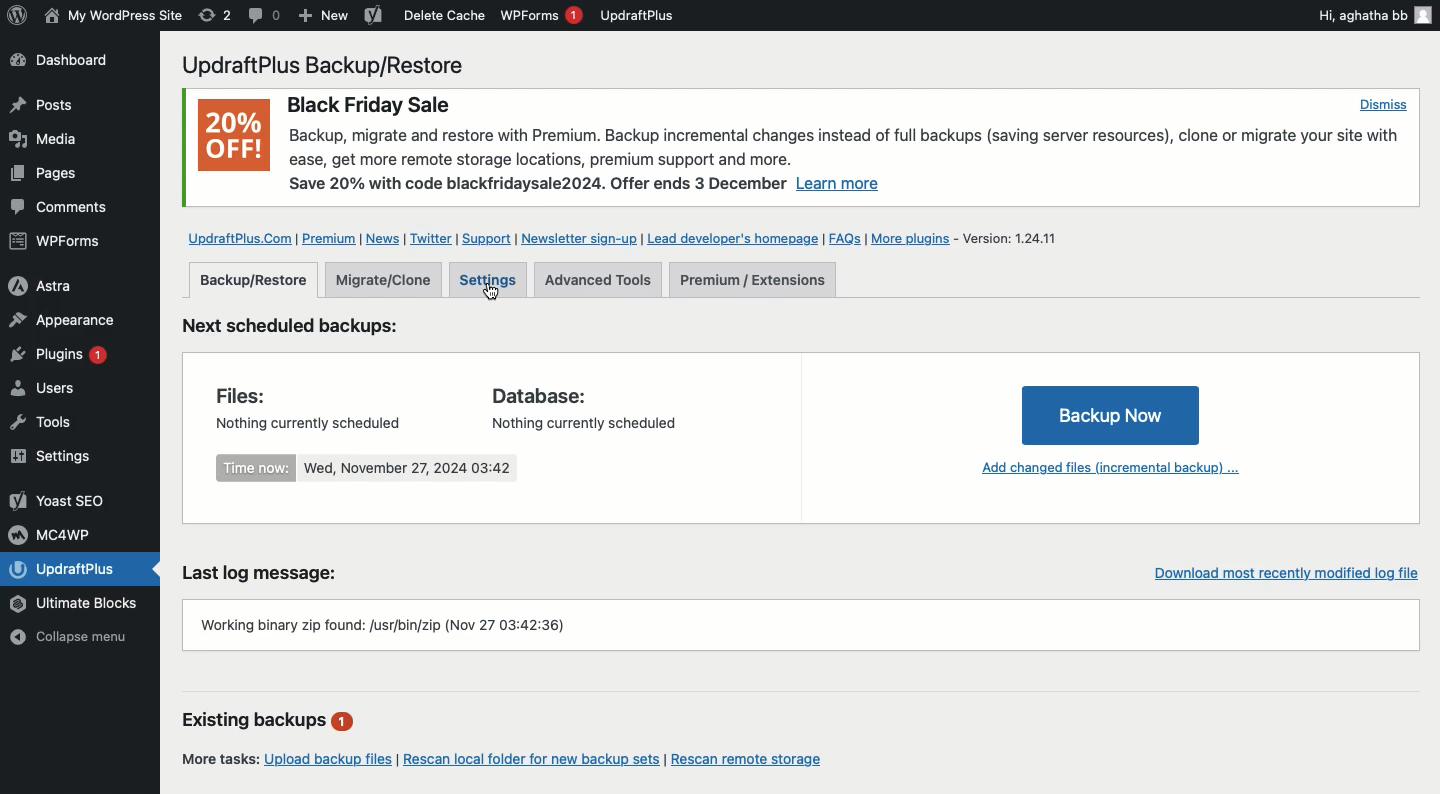  Describe the element at coordinates (385, 239) in the screenshot. I see `News` at that location.